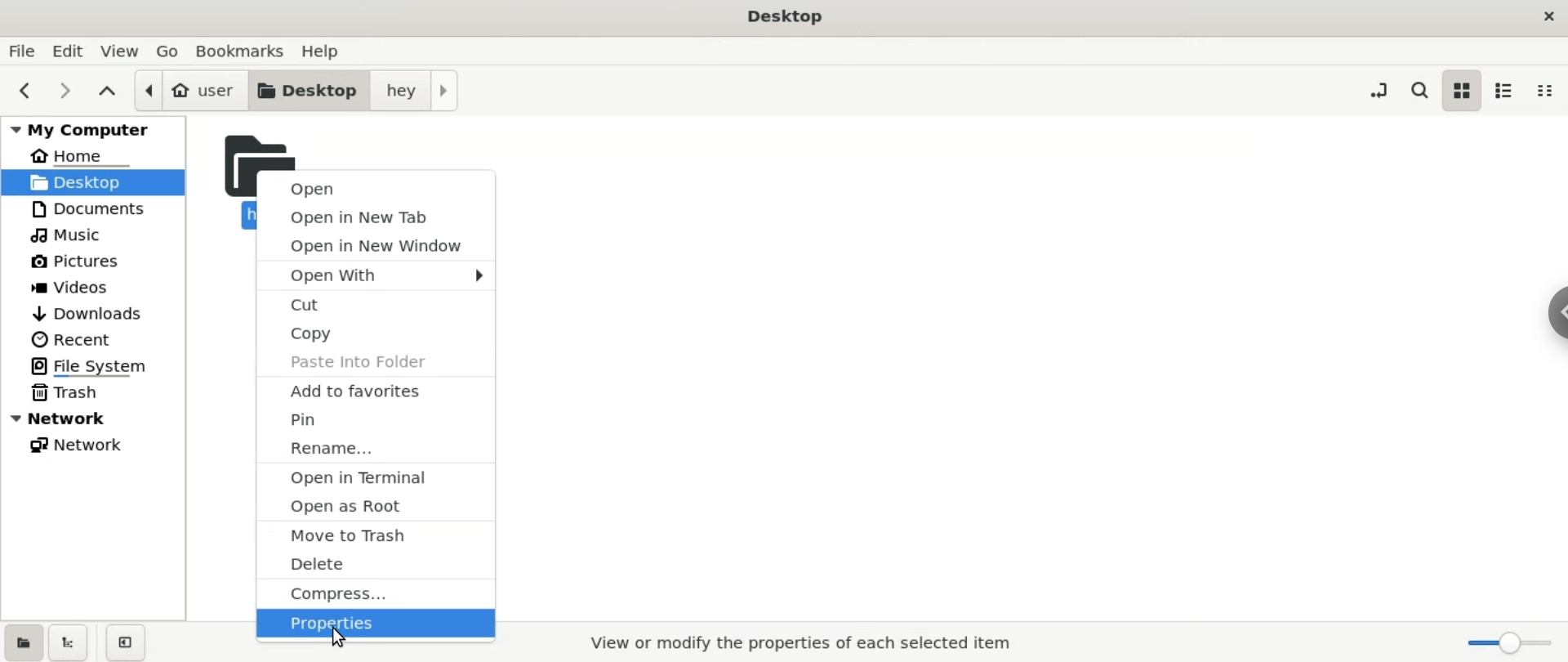  What do you see at coordinates (125, 51) in the screenshot?
I see `view` at bounding box center [125, 51].